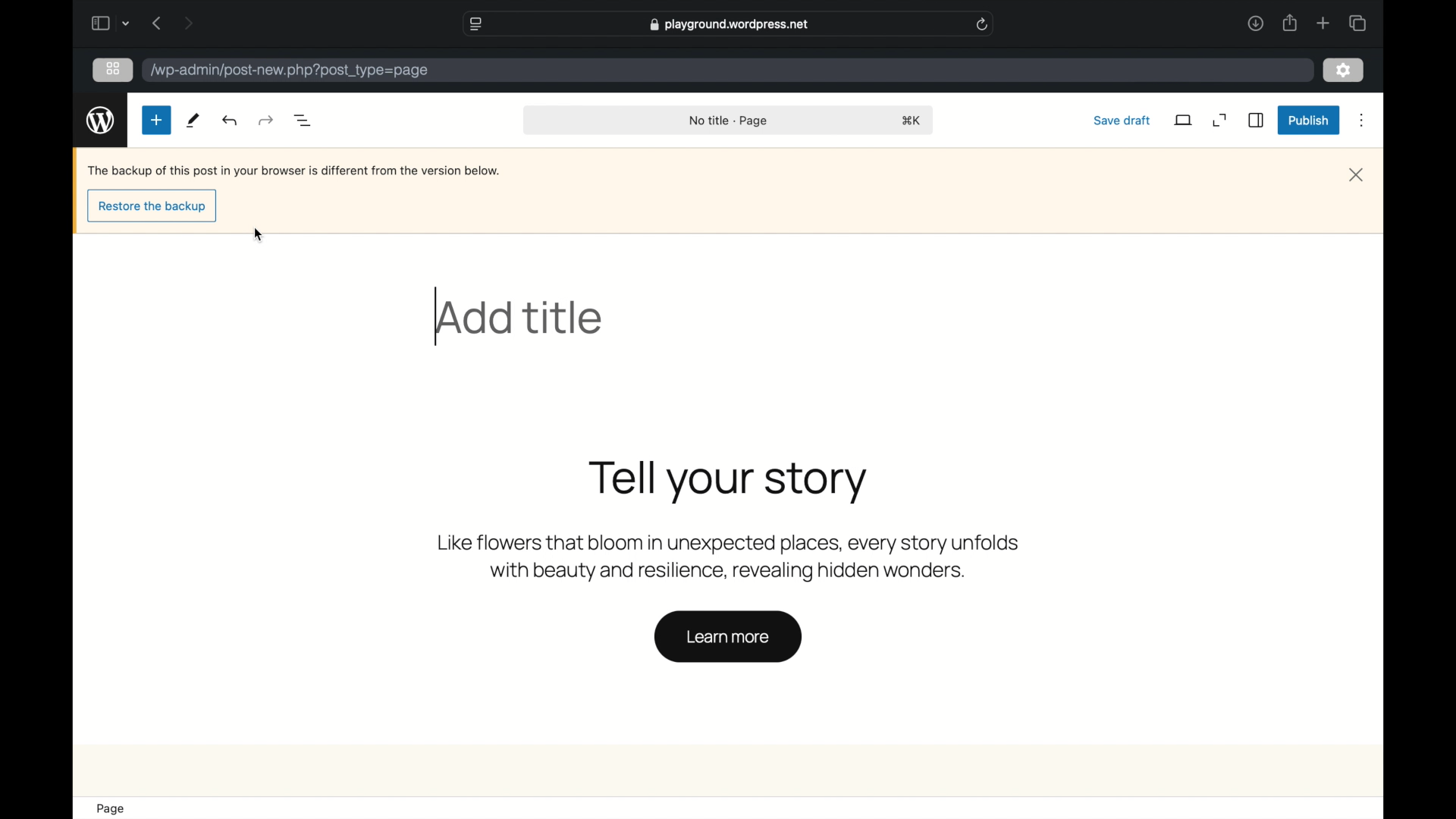 This screenshot has width=1456, height=819. What do you see at coordinates (188, 23) in the screenshot?
I see `next page` at bounding box center [188, 23].